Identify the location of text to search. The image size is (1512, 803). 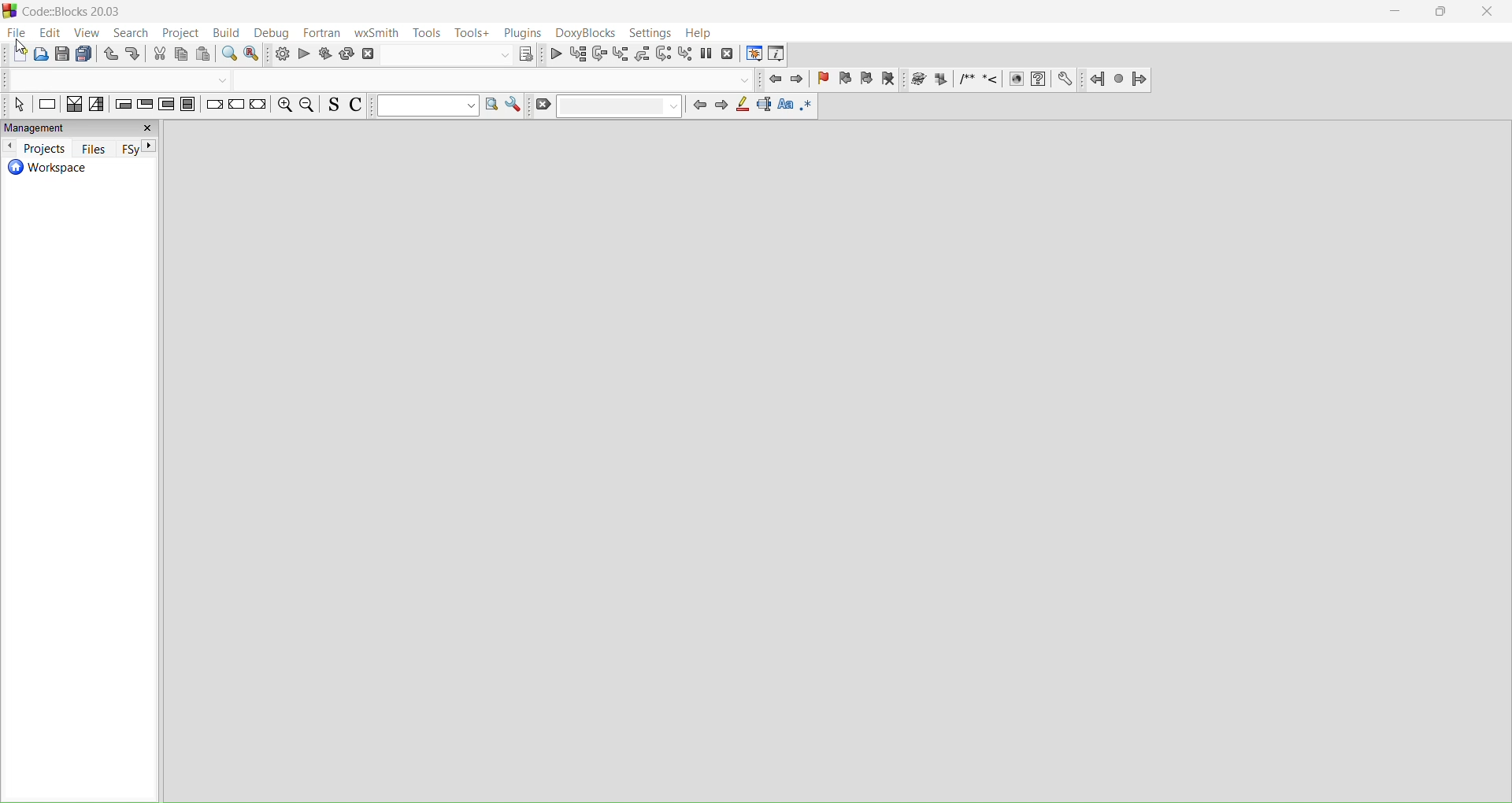
(426, 107).